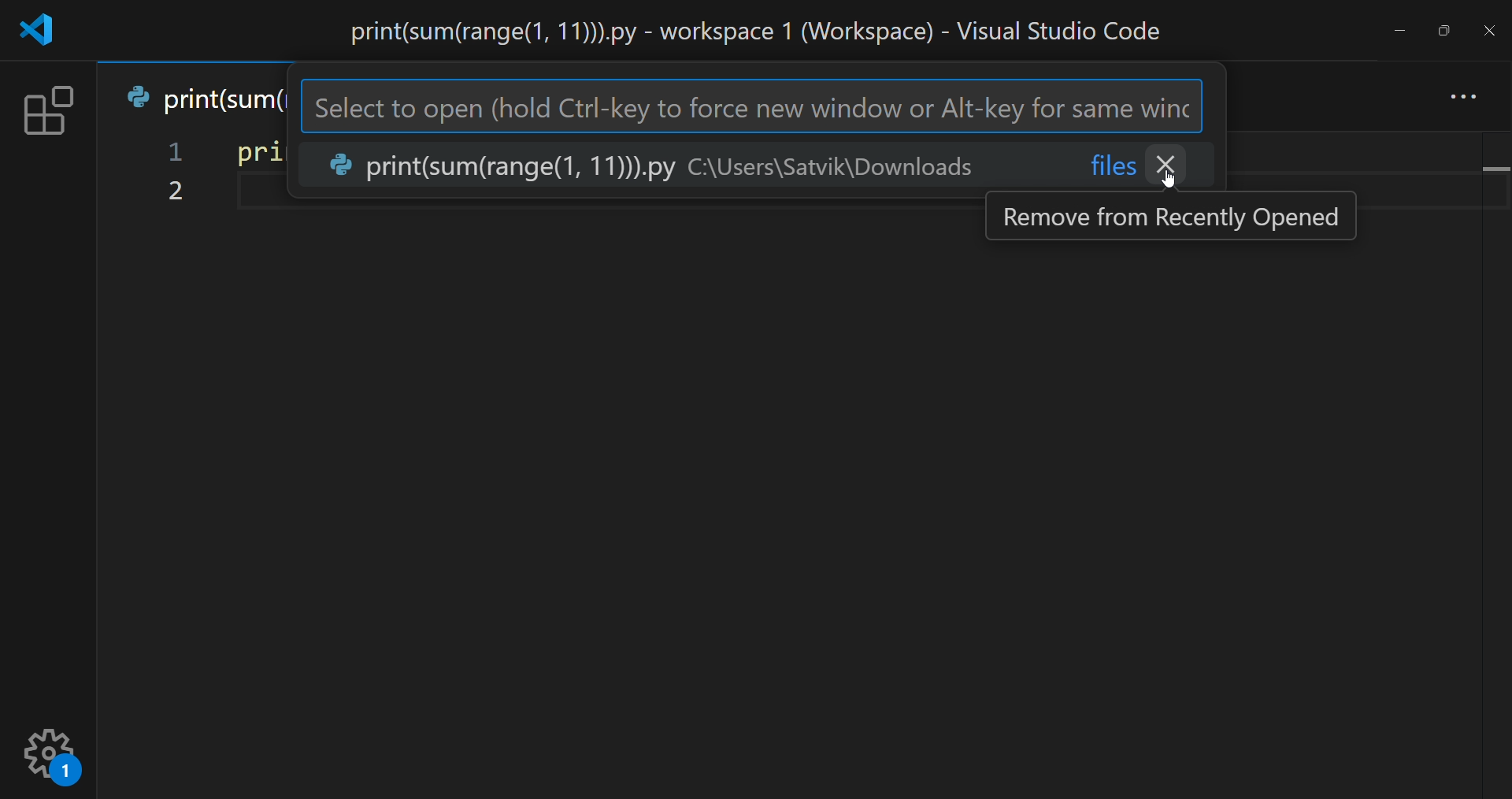 The image size is (1512, 799). I want to click on close, so click(1488, 29).